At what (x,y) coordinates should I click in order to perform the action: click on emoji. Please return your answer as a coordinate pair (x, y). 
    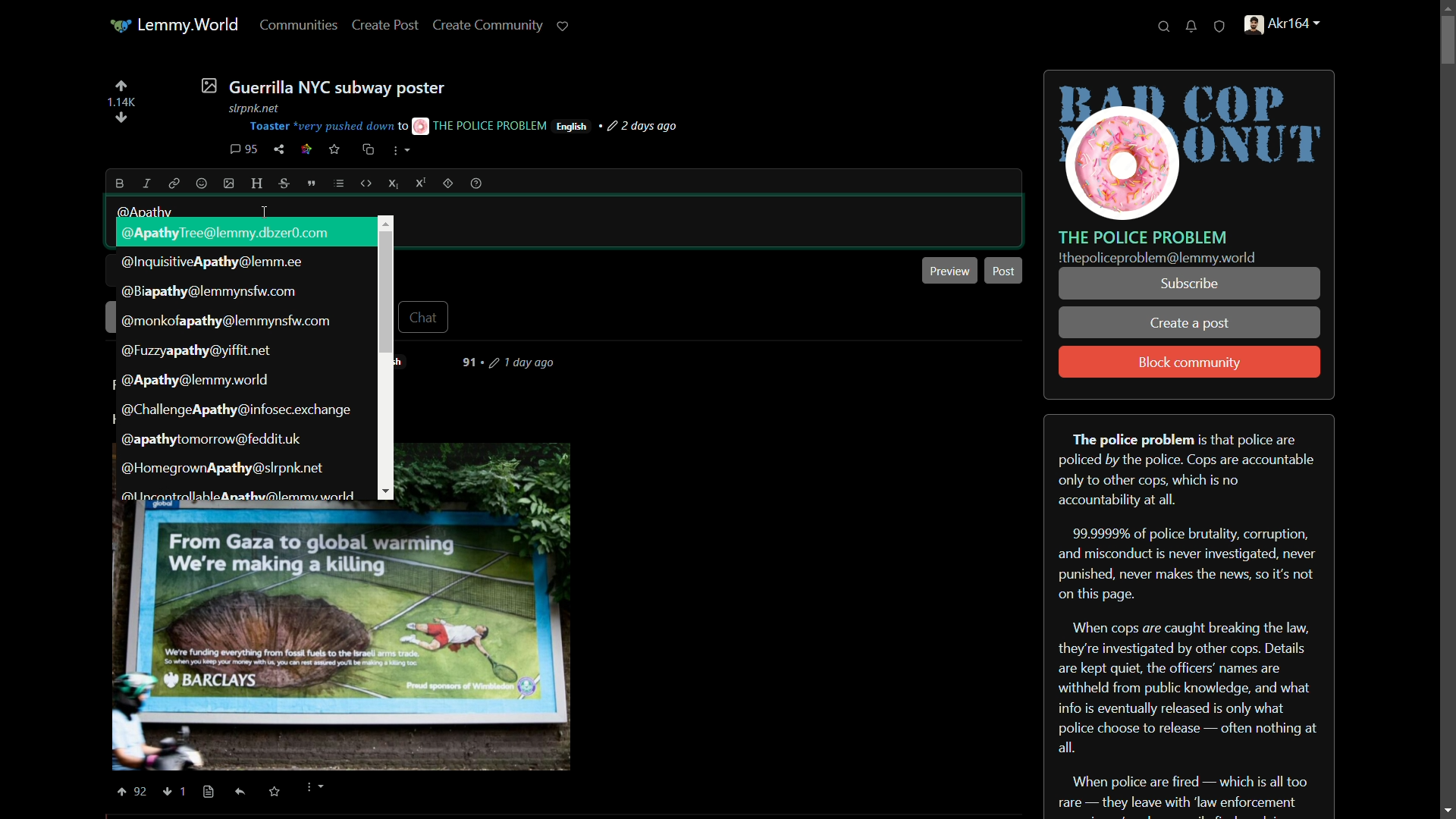
    Looking at the image, I should click on (202, 184).